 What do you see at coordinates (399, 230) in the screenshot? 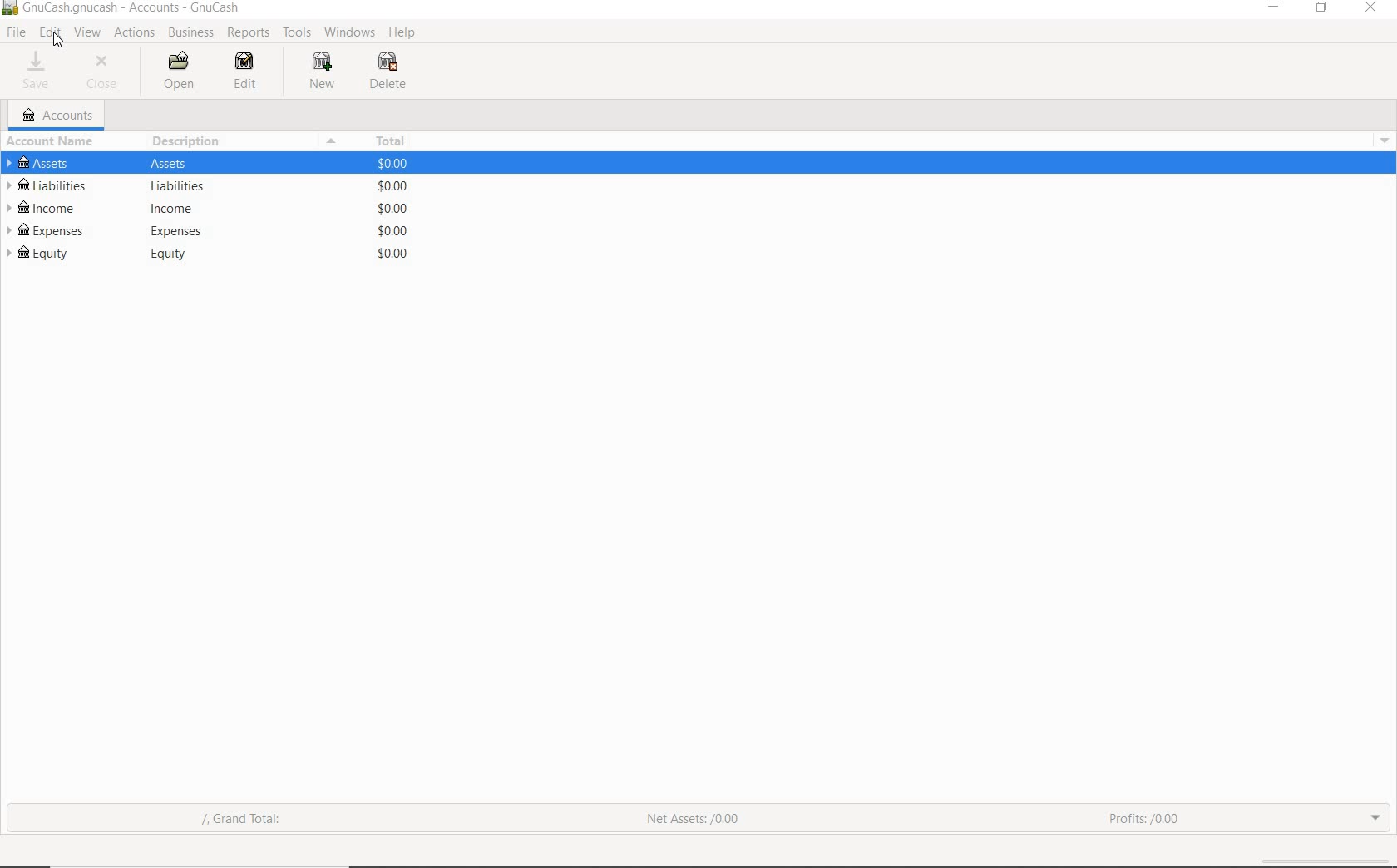
I see `` at bounding box center [399, 230].